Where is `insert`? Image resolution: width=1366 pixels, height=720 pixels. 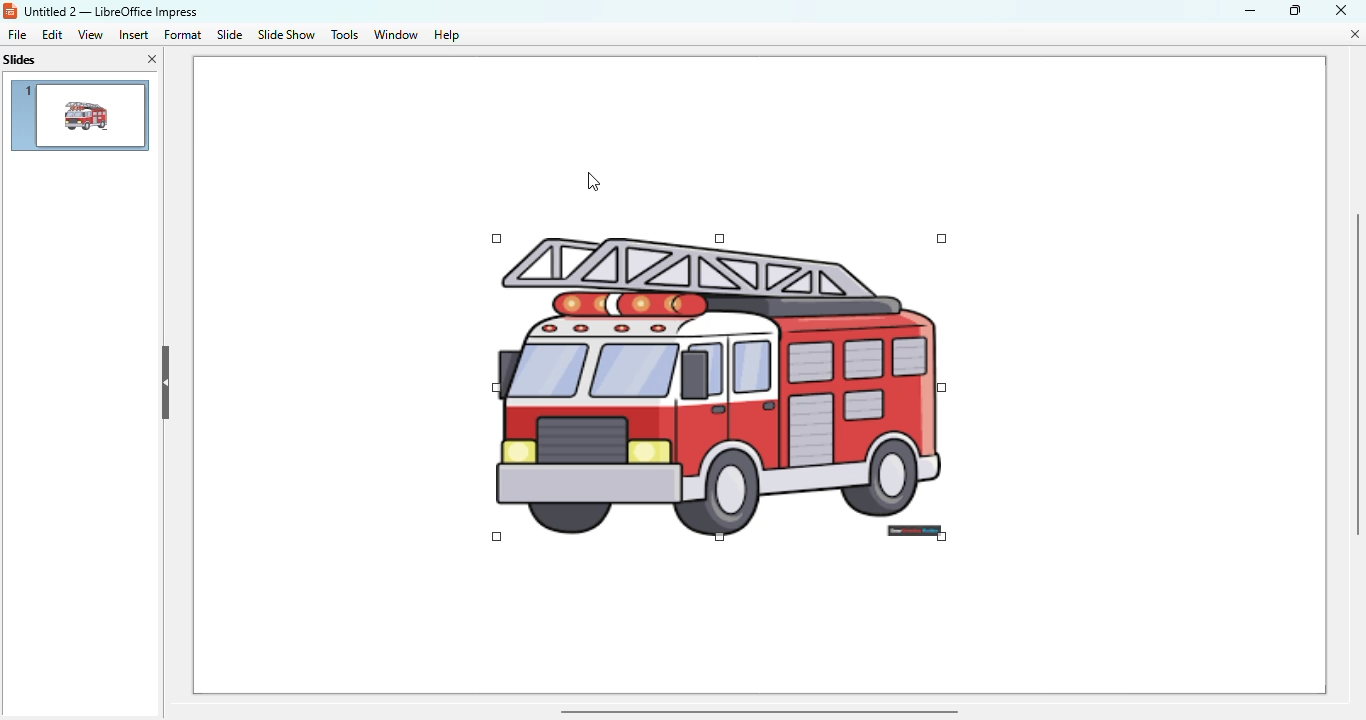 insert is located at coordinates (133, 35).